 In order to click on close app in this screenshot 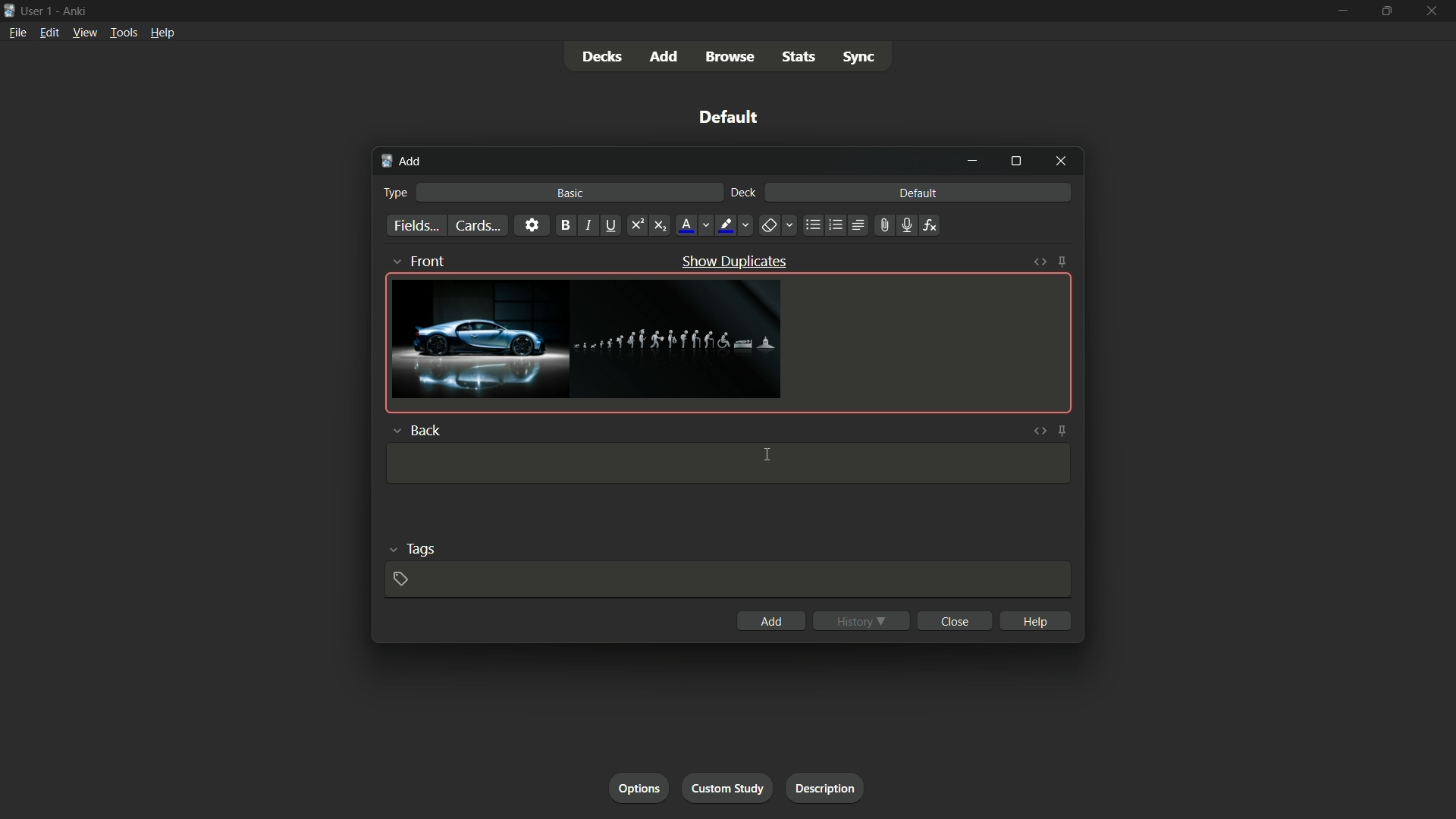, I will do `click(1434, 11)`.